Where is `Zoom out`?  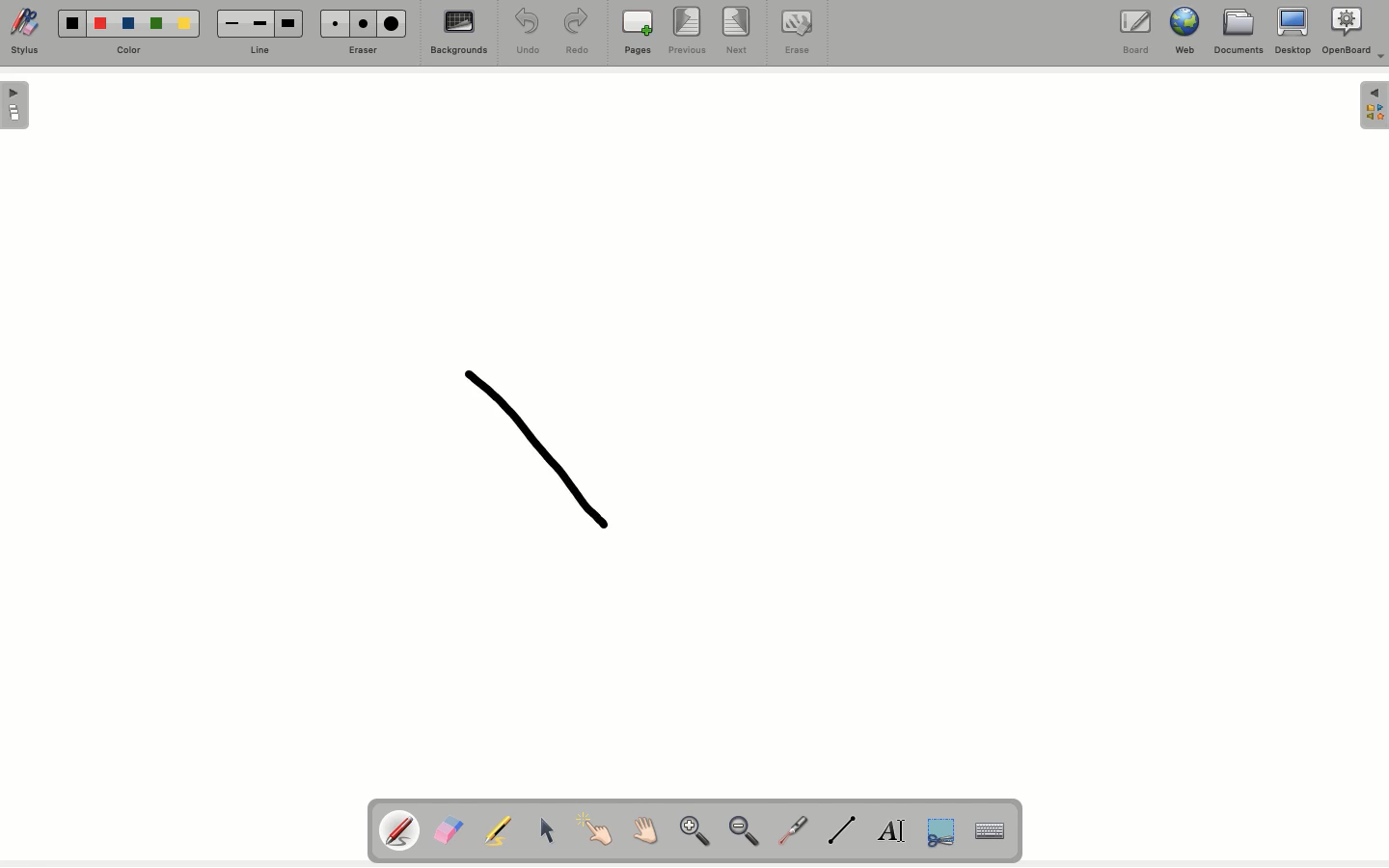 Zoom out is located at coordinates (749, 833).